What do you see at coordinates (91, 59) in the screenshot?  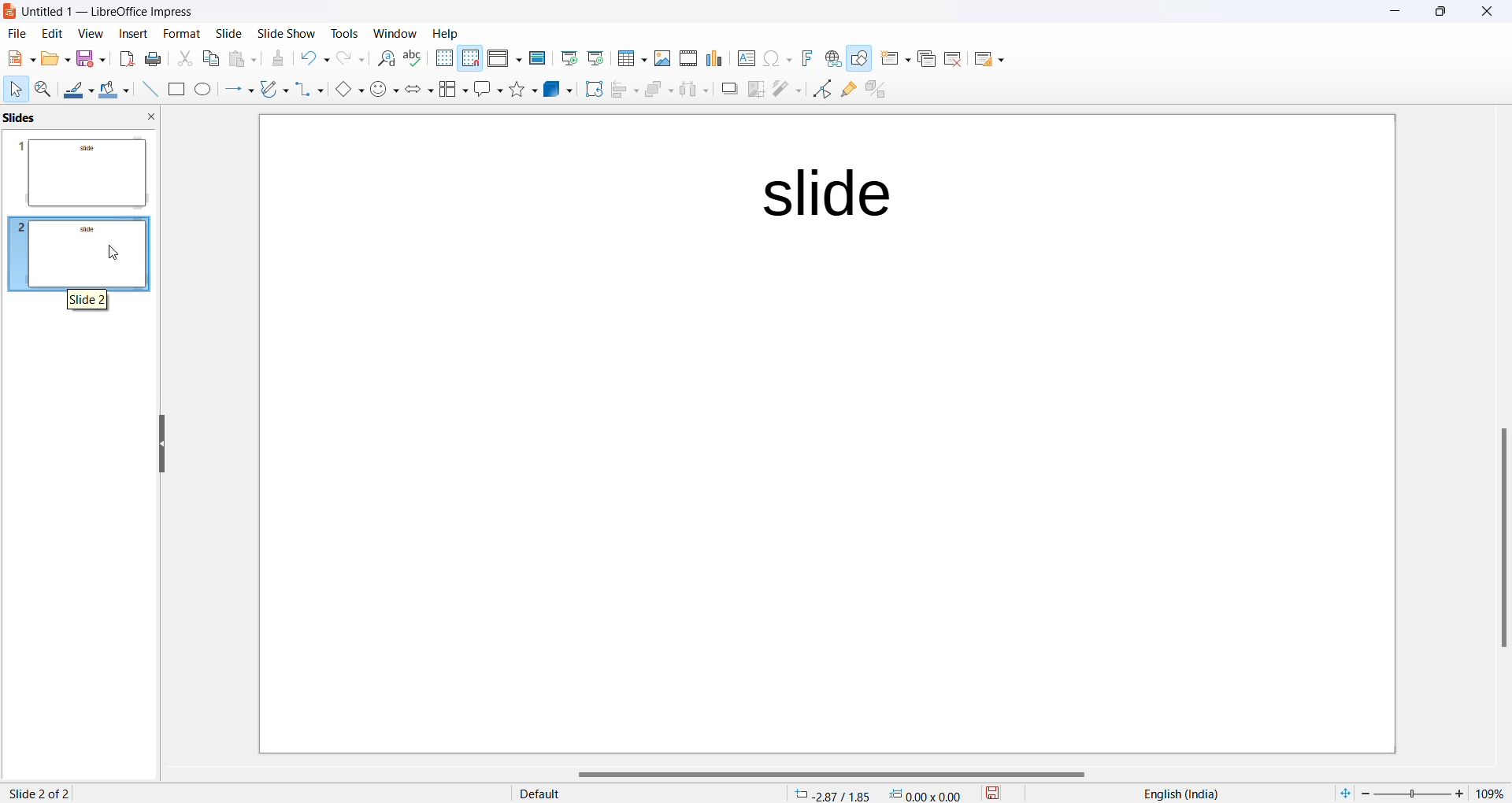 I see `Save option` at bounding box center [91, 59].